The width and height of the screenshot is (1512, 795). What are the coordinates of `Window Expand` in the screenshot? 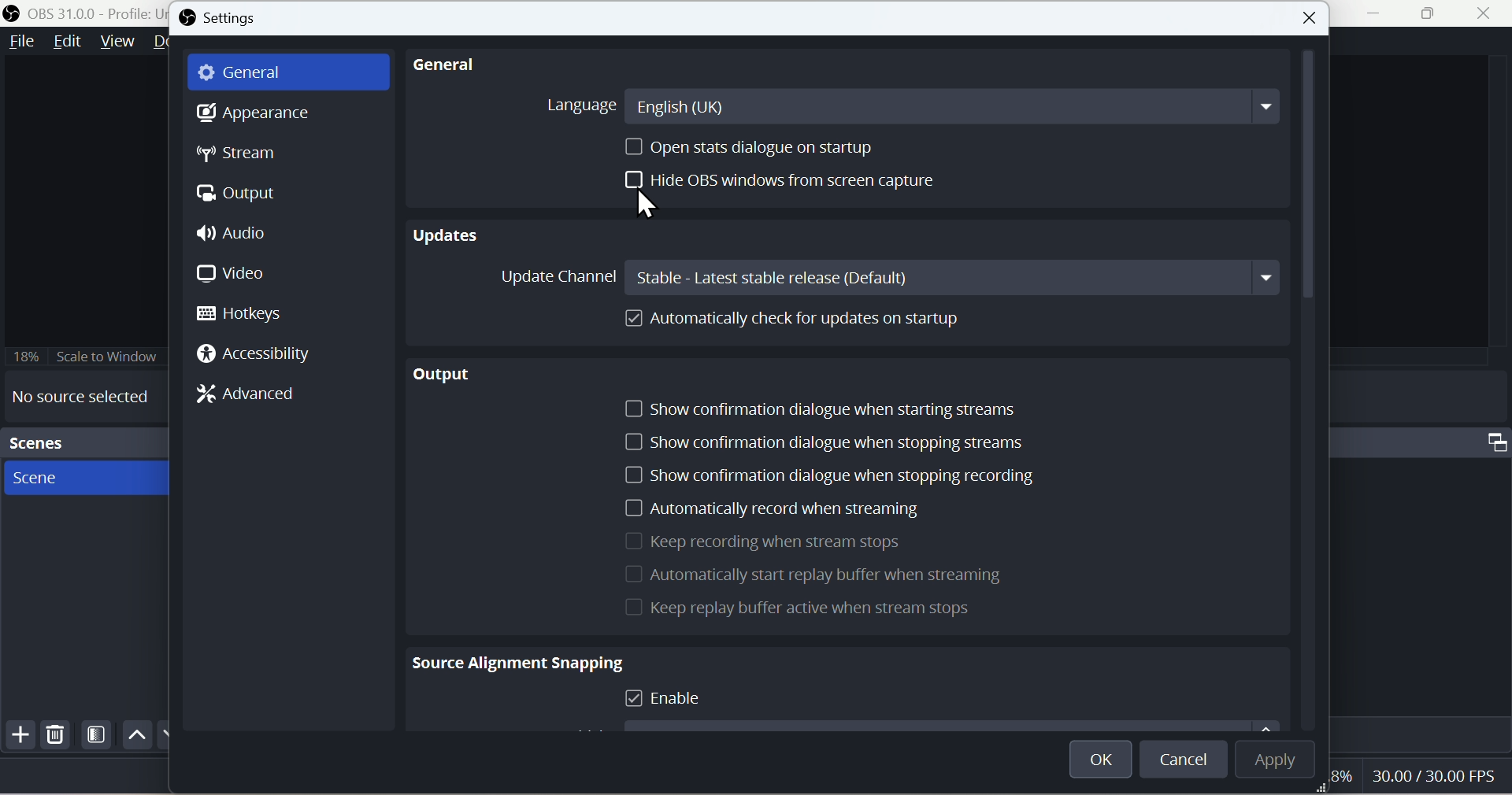 It's located at (1432, 13).